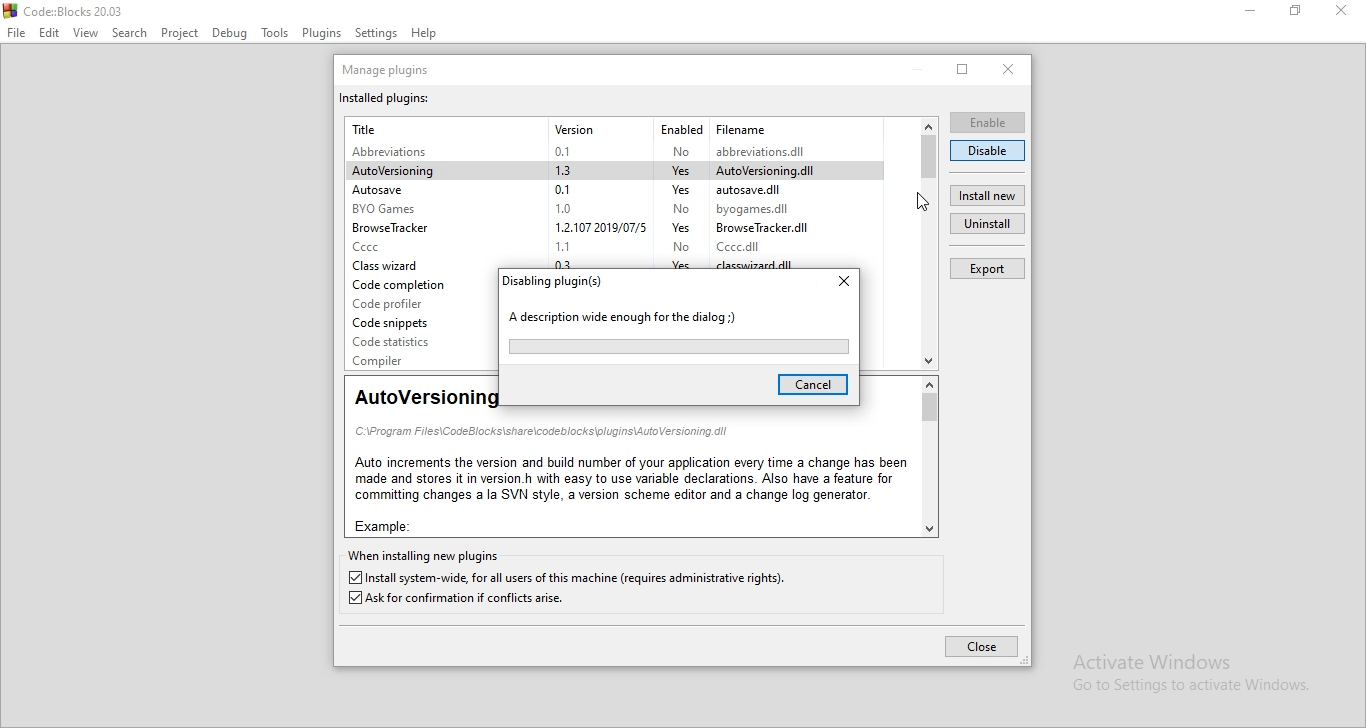 The height and width of the screenshot is (728, 1366). What do you see at coordinates (390, 69) in the screenshot?
I see `manage plugins` at bounding box center [390, 69].